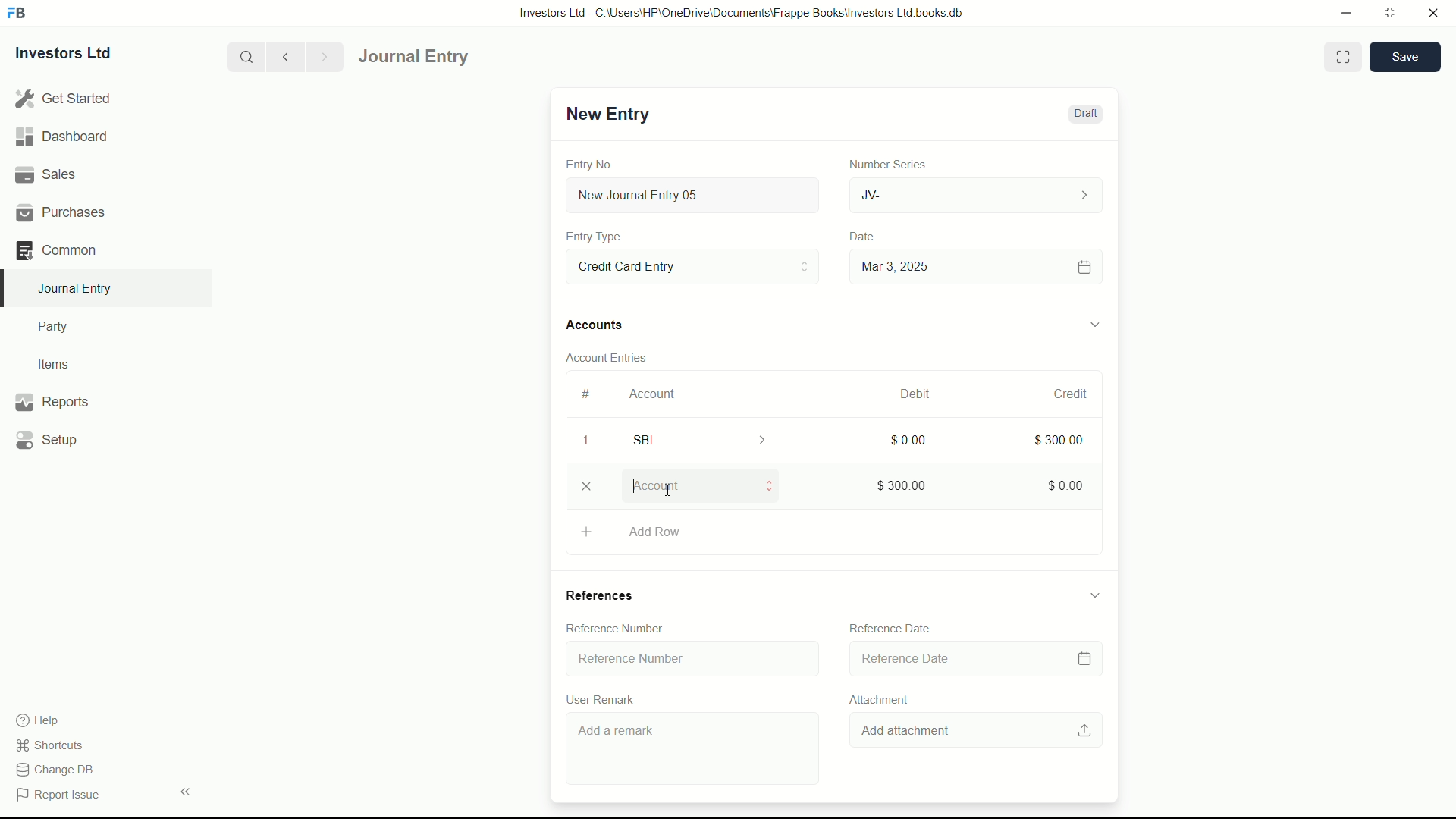 Image resolution: width=1456 pixels, height=819 pixels. I want to click on Journal Entry, so click(457, 57).